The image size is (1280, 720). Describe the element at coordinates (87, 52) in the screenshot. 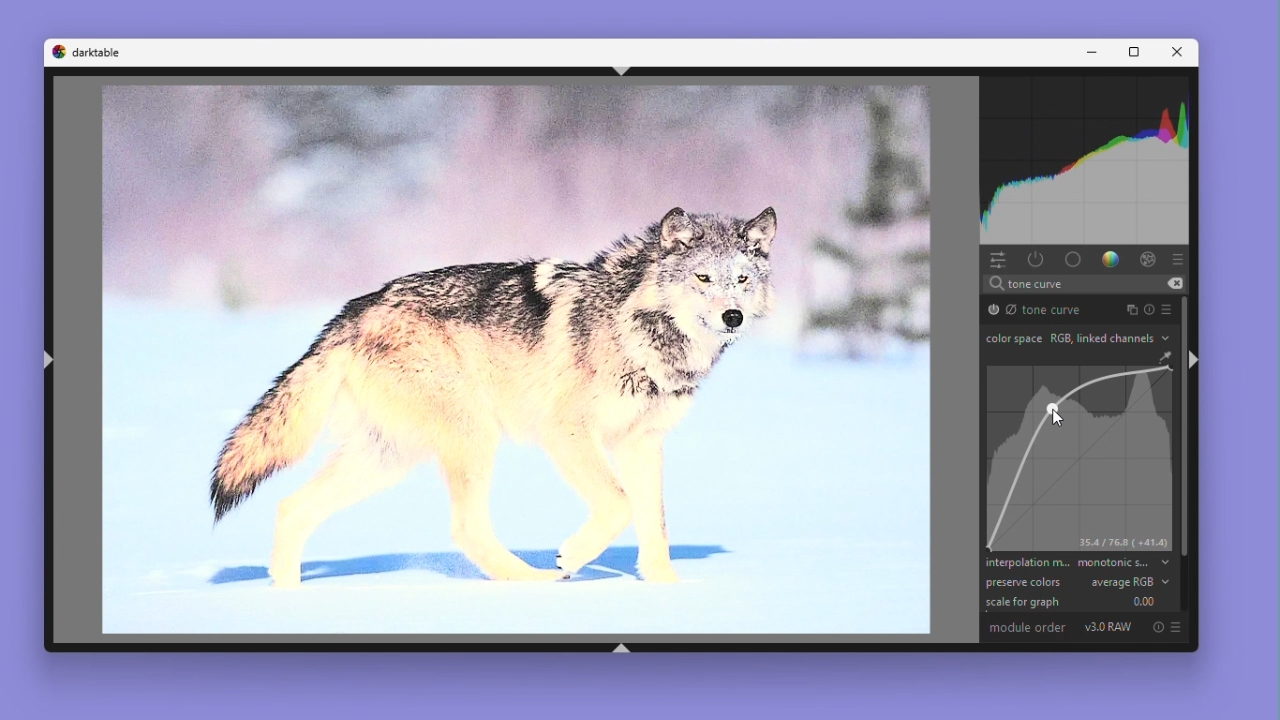

I see `Dark table logo` at that location.